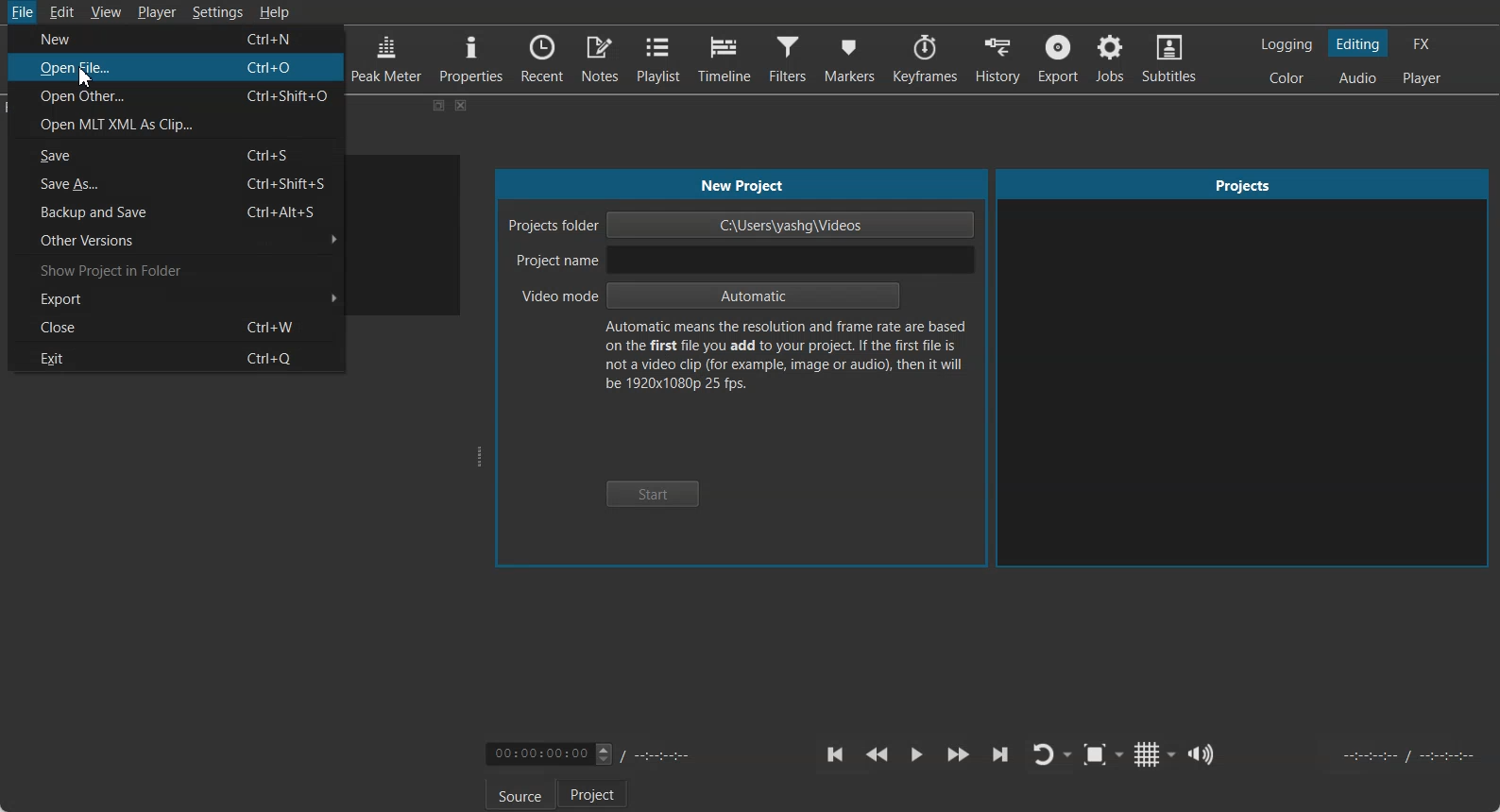 This screenshot has height=812, width=1500. What do you see at coordinates (1398, 755) in the screenshot?
I see `Video Timing` at bounding box center [1398, 755].